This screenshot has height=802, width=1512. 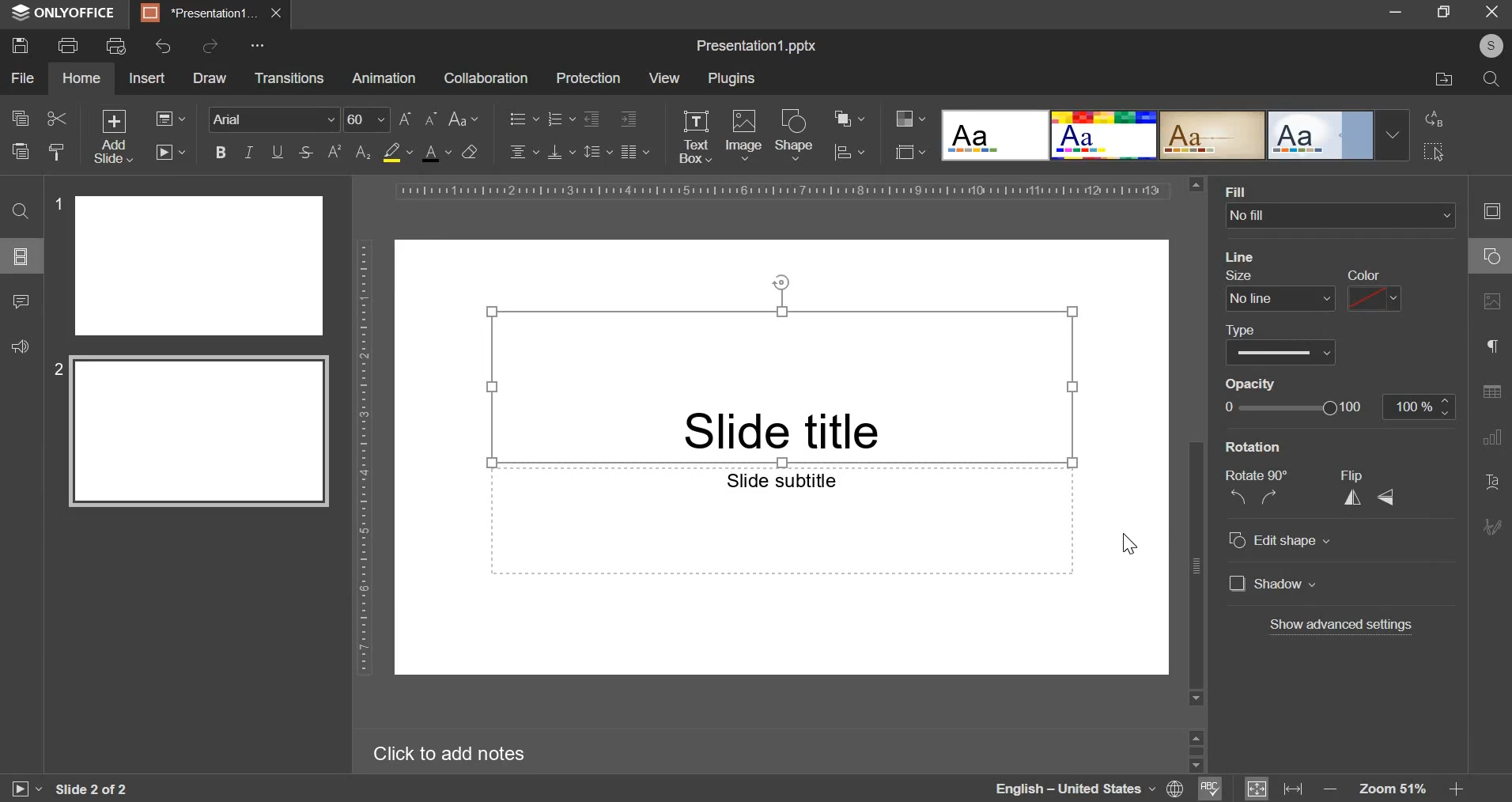 What do you see at coordinates (1493, 10) in the screenshot?
I see `exit` at bounding box center [1493, 10].